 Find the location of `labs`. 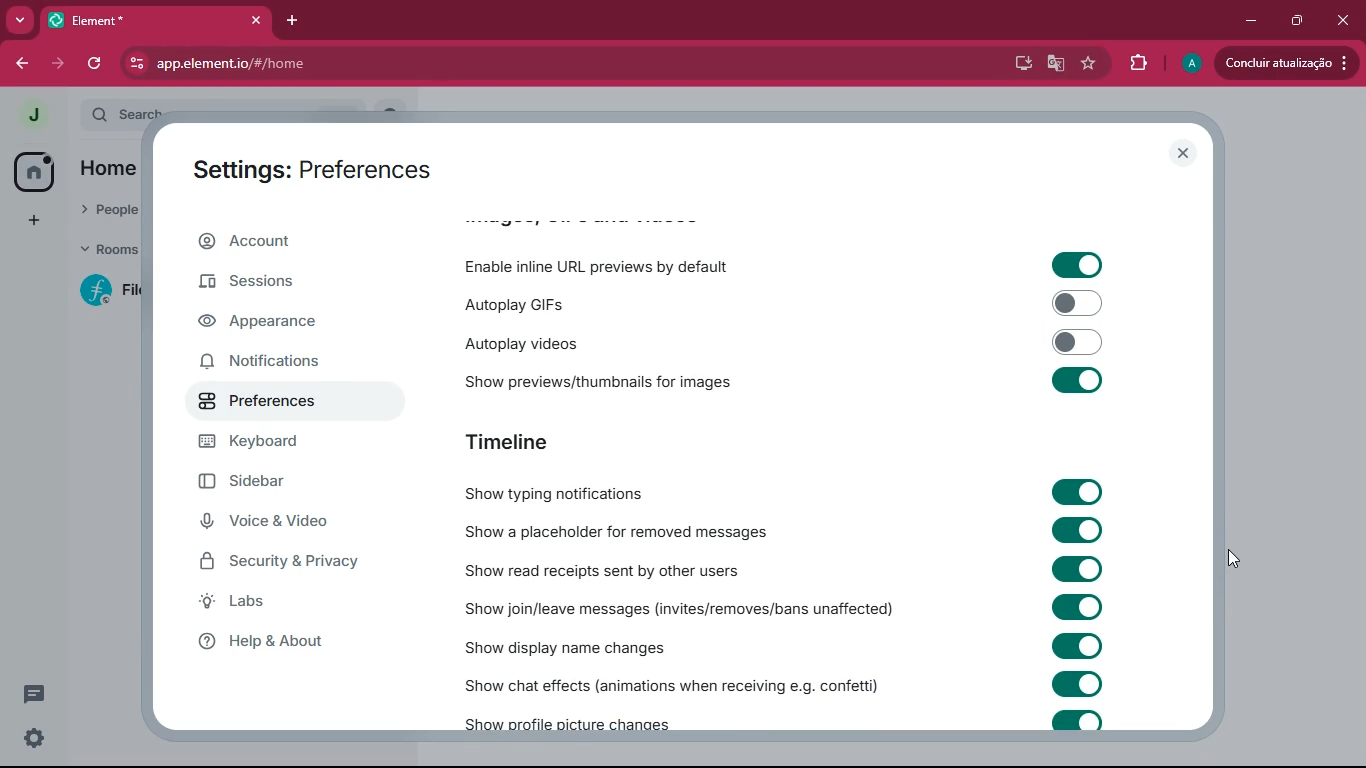

labs is located at coordinates (272, 606).